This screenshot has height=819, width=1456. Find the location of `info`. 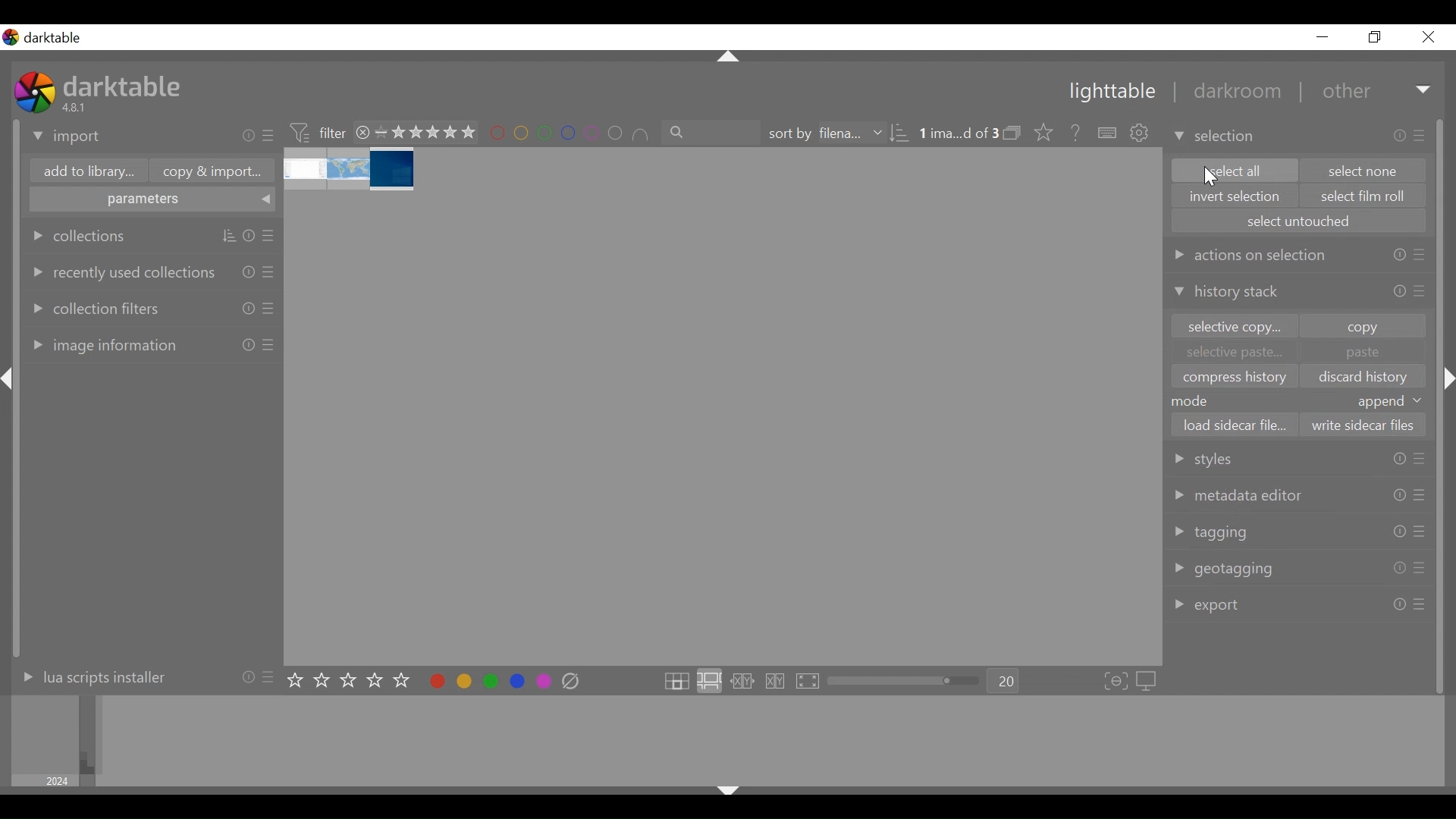

info is located at coordinates (249, 271).